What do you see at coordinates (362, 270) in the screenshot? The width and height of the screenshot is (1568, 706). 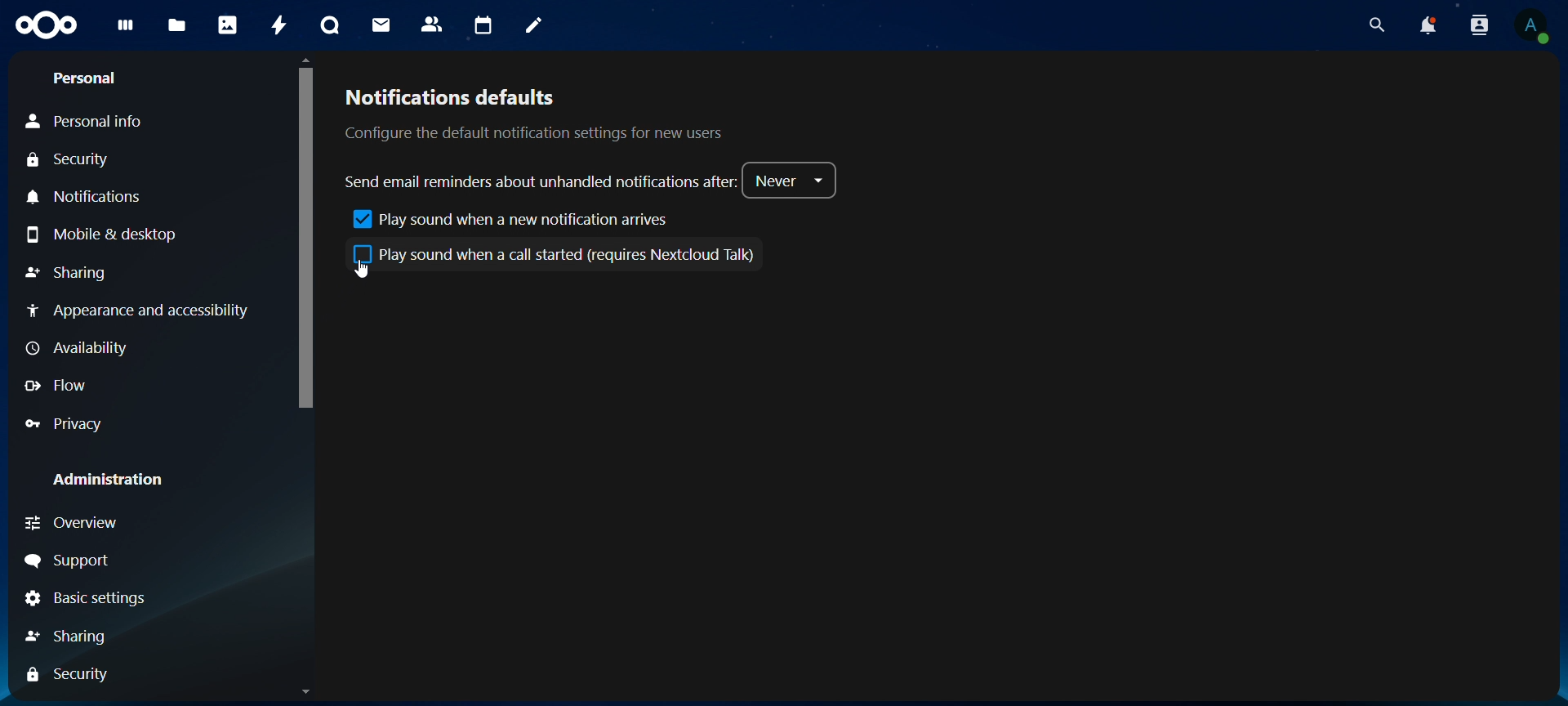 I see `Cursor` at bounding box center [362, 270].